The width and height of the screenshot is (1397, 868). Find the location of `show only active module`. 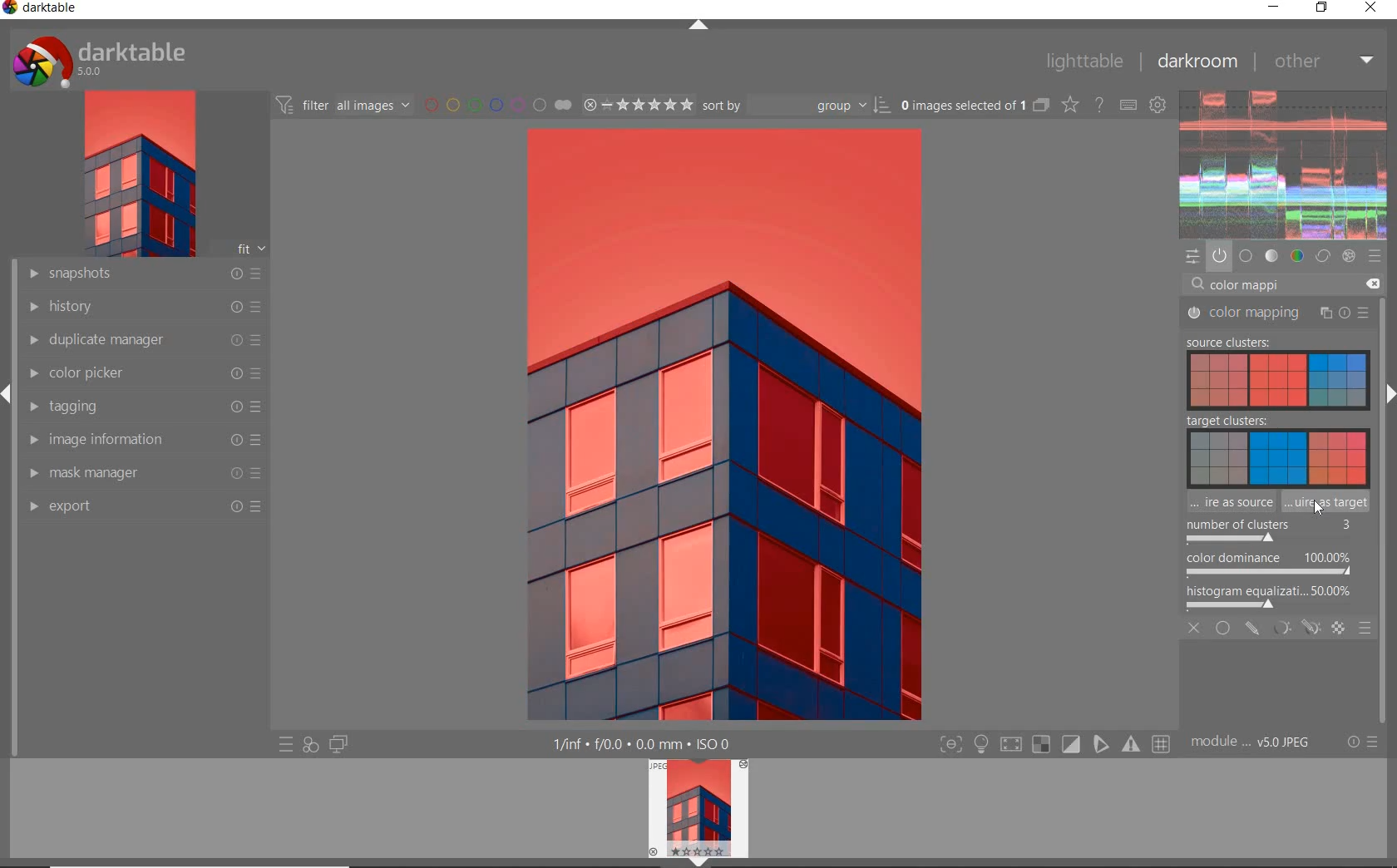

show only active module is located at coordinates (1220, 257).